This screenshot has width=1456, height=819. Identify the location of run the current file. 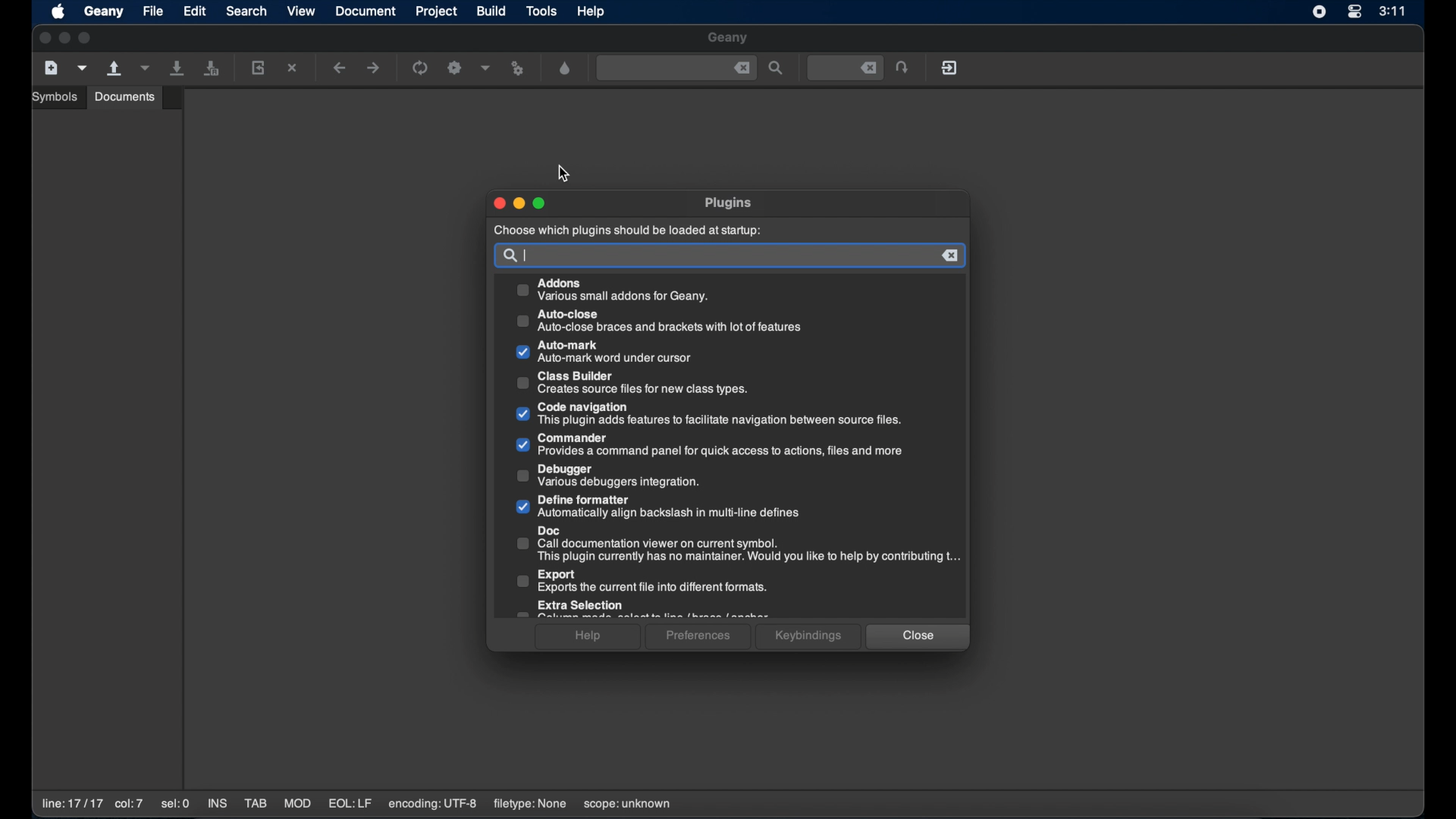
(421, 68).